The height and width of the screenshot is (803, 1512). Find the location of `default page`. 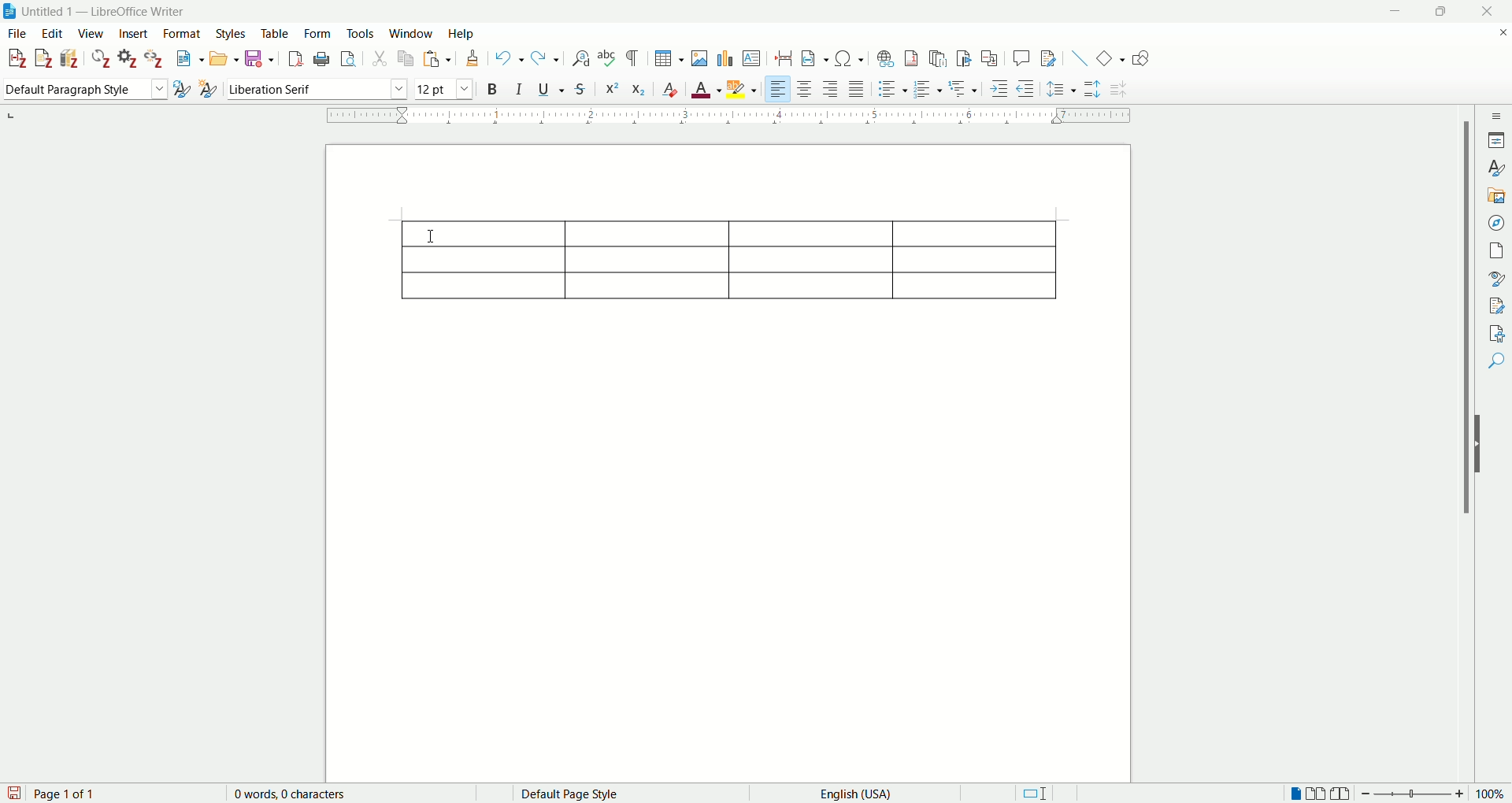

default page is located at coordinates (612, 792).